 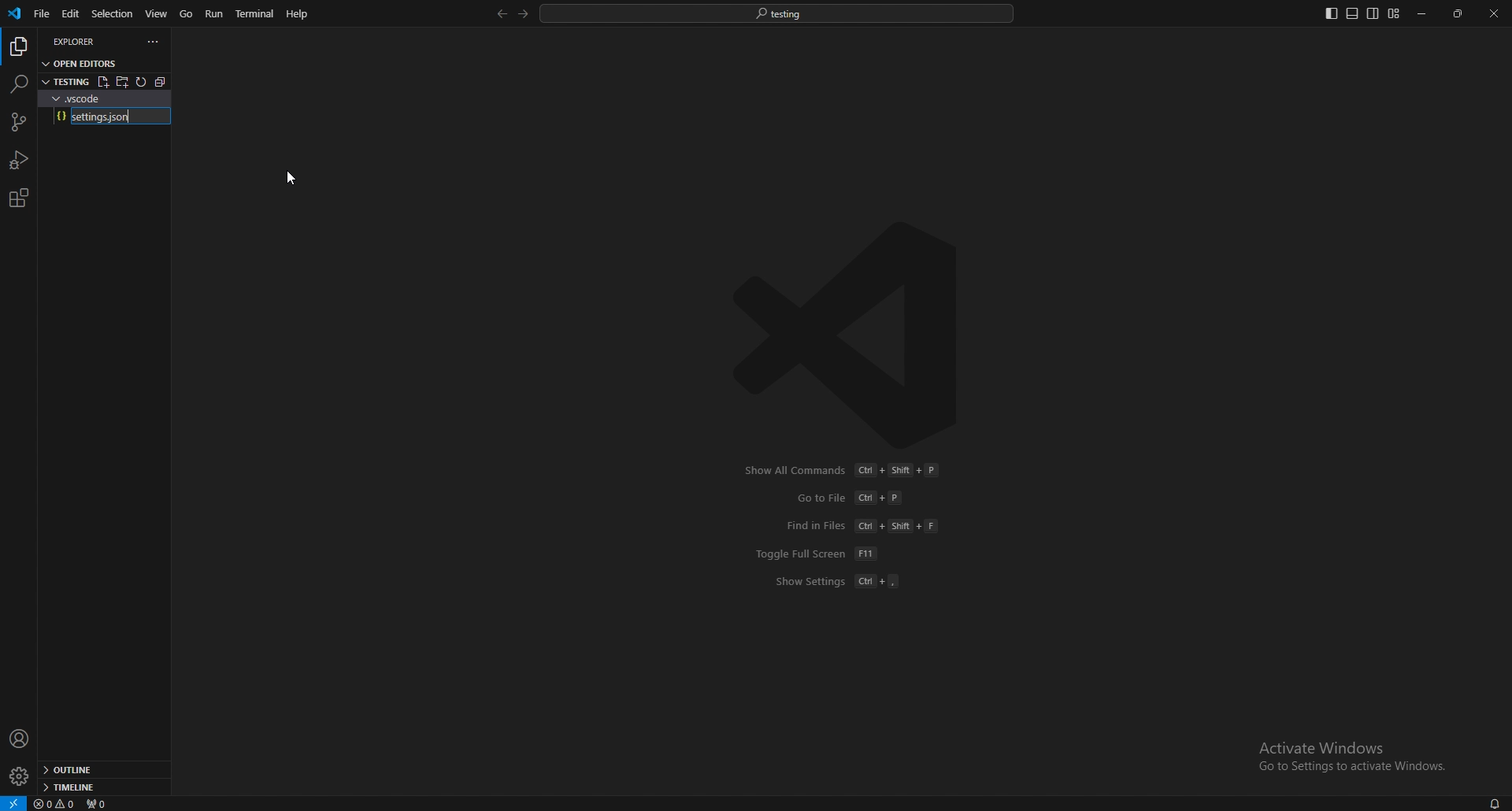 I want to click on open editors, so click(x=82, y=62).